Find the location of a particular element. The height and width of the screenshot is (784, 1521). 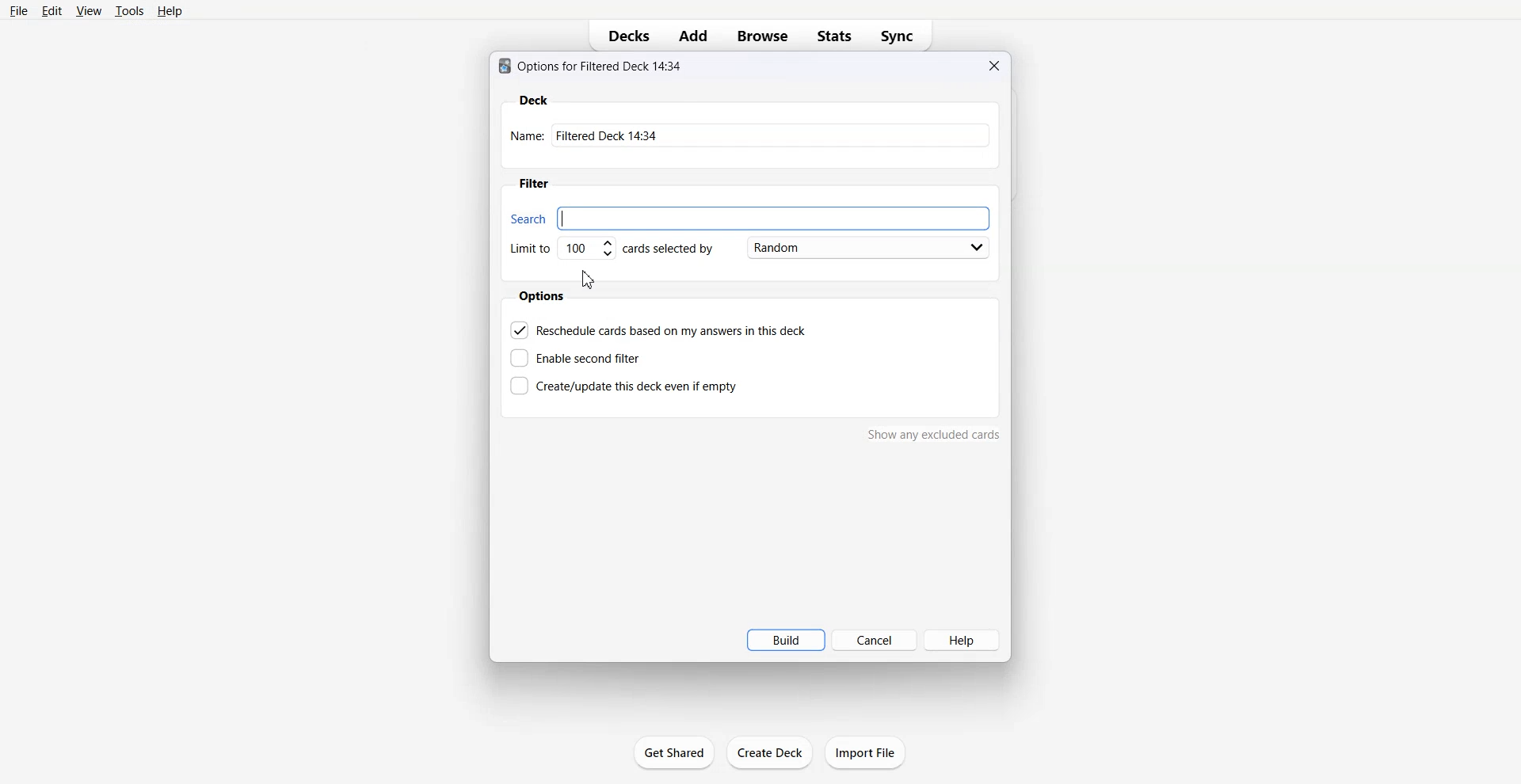

Close is located at coordinates (993, 66).